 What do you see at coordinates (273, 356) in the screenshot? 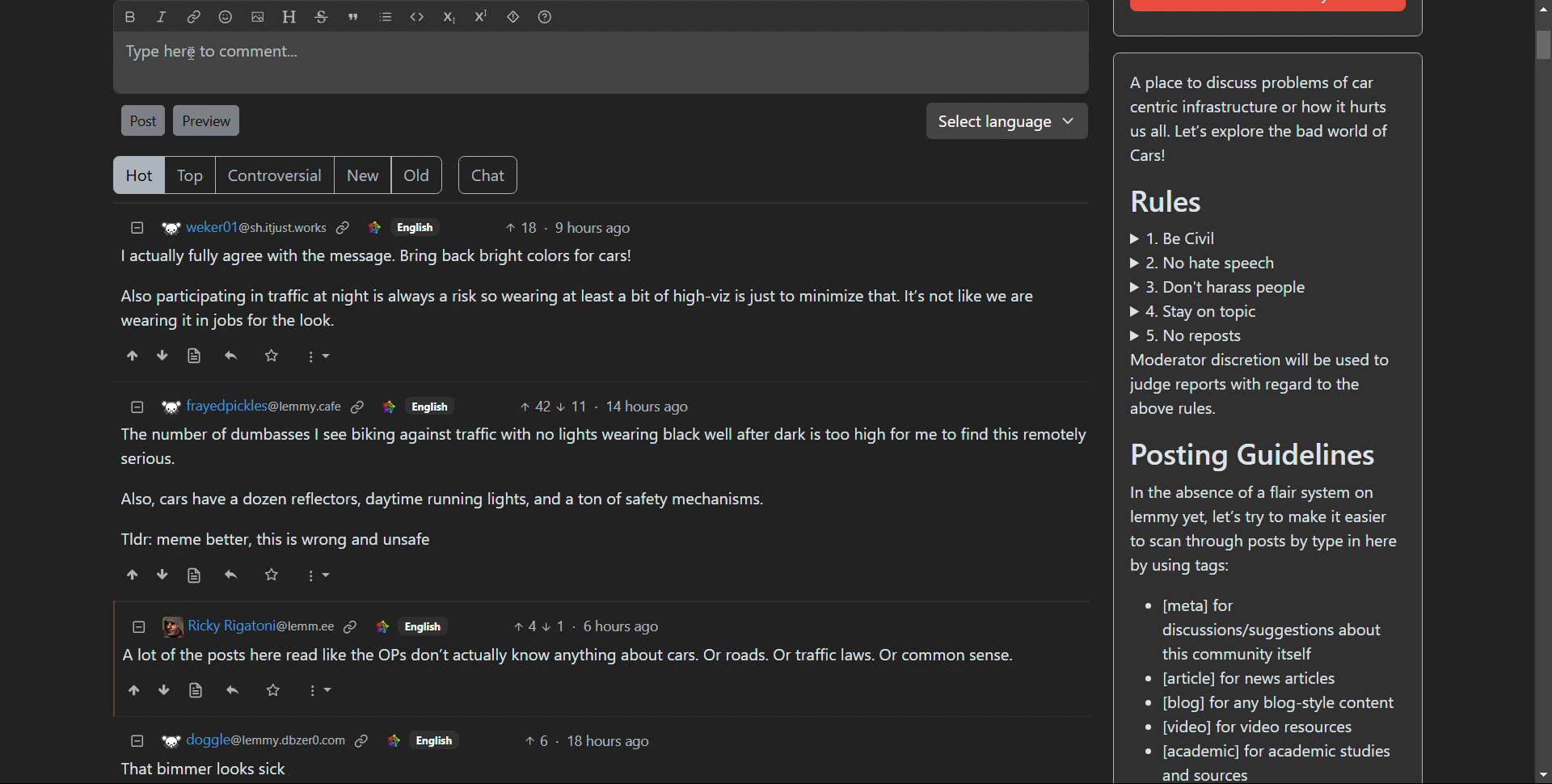
I see `Starred` at bounding box center [273, 356].